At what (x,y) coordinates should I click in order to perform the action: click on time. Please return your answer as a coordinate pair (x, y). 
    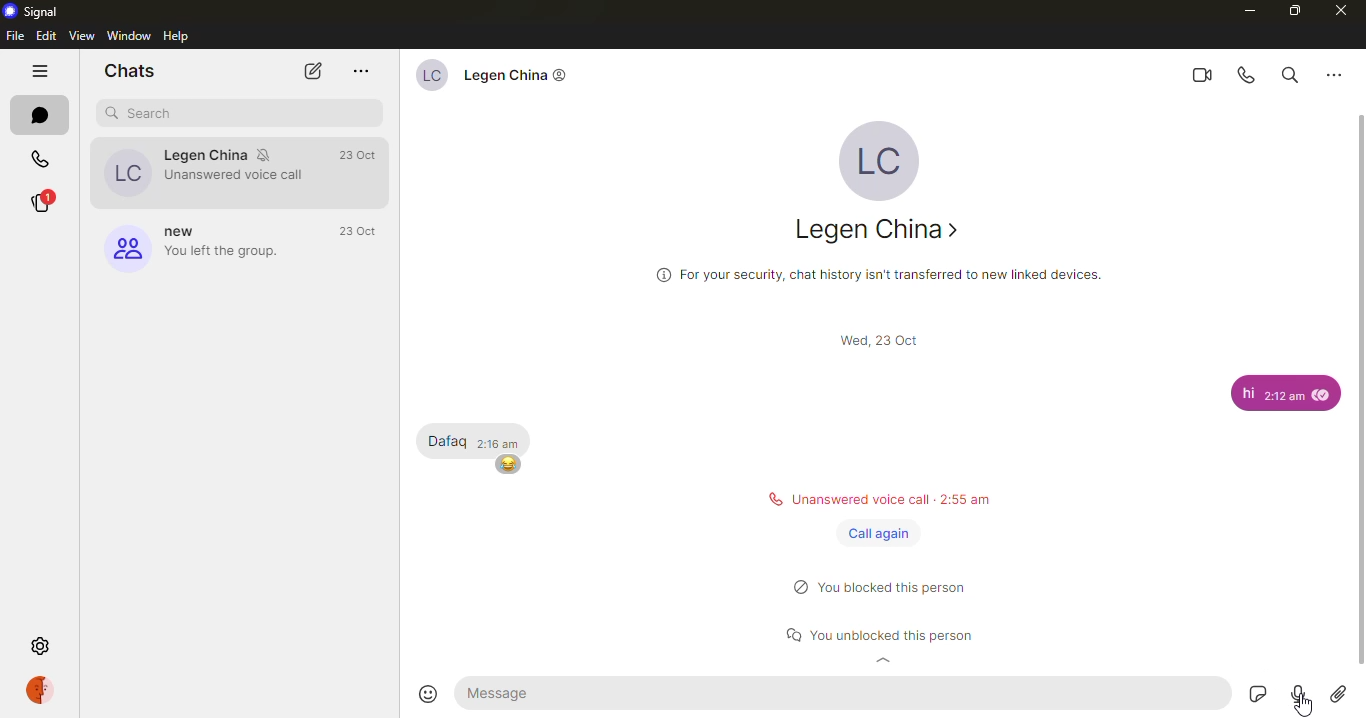
    Looking at the image, I should click on (361, 232).